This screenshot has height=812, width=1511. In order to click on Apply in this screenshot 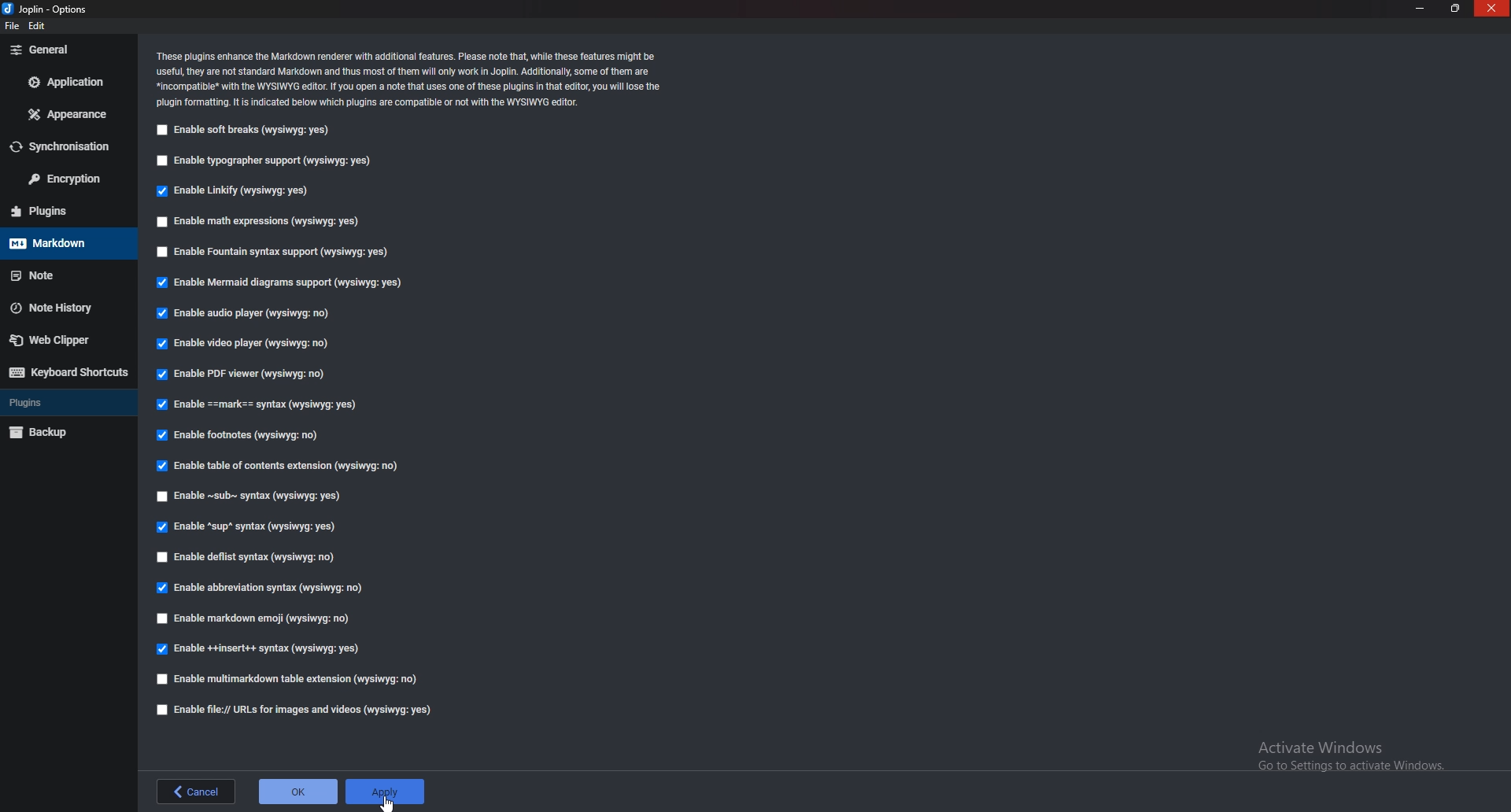, I will do `click(388, 787)`.